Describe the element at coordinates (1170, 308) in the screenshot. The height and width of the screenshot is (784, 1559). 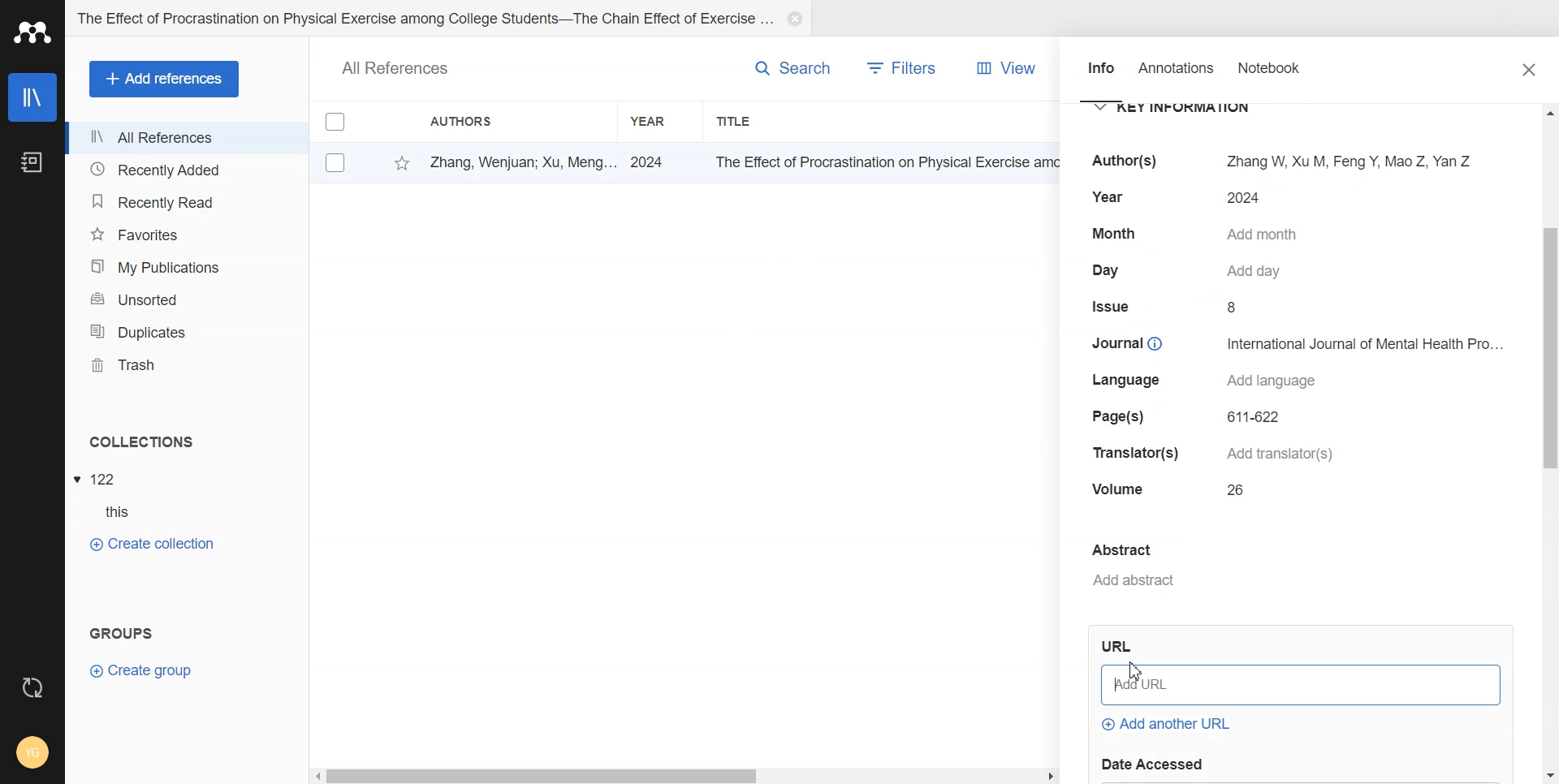
I see `Issue 8` at that location.